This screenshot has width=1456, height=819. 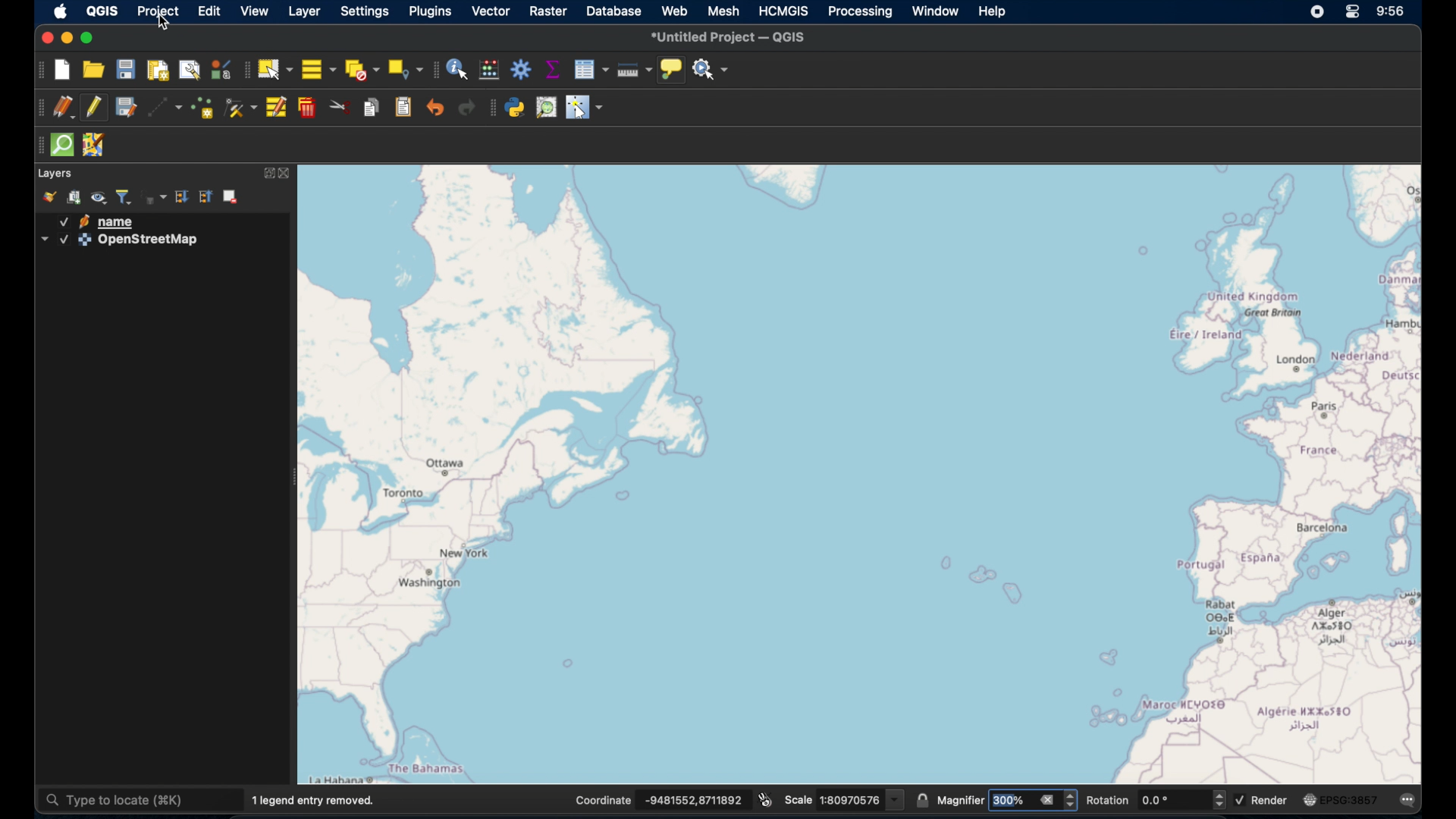 I want to click on close, so click(x=287, y=174).